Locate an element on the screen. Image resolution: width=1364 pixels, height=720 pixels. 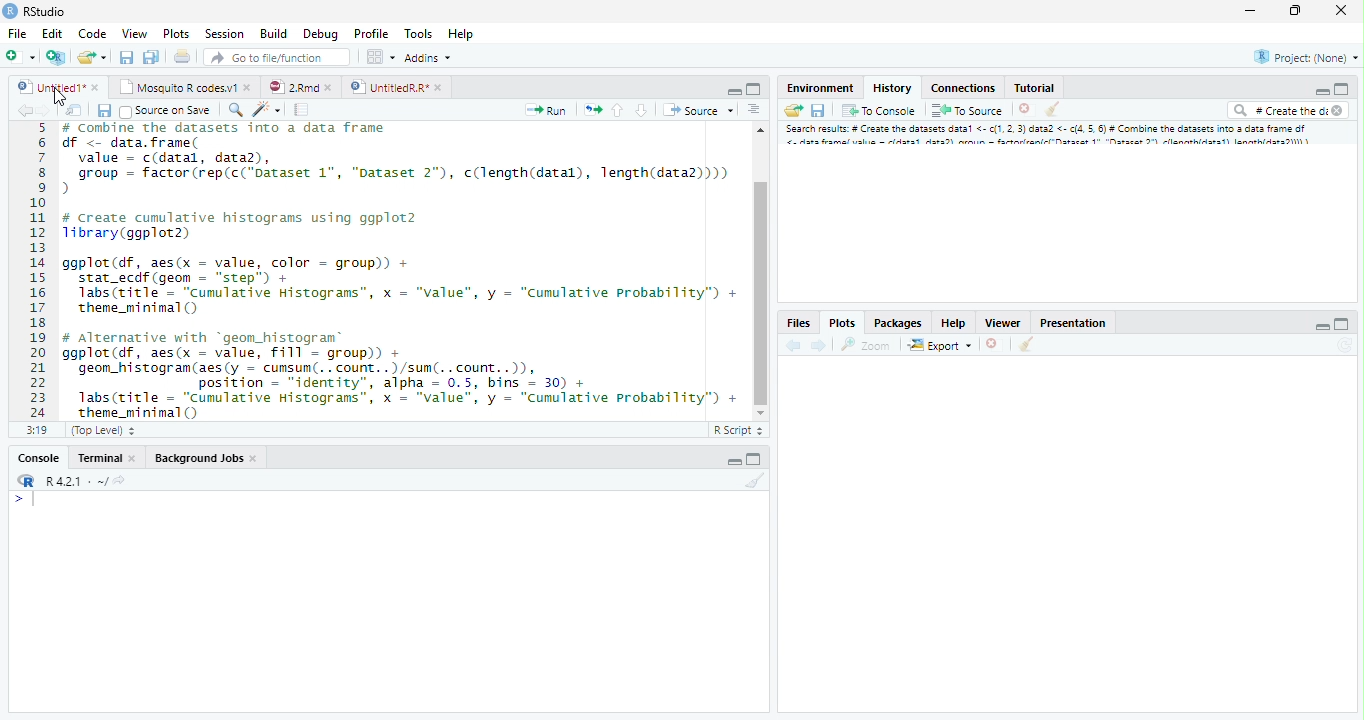
Source is located at coordinates (698, 112).